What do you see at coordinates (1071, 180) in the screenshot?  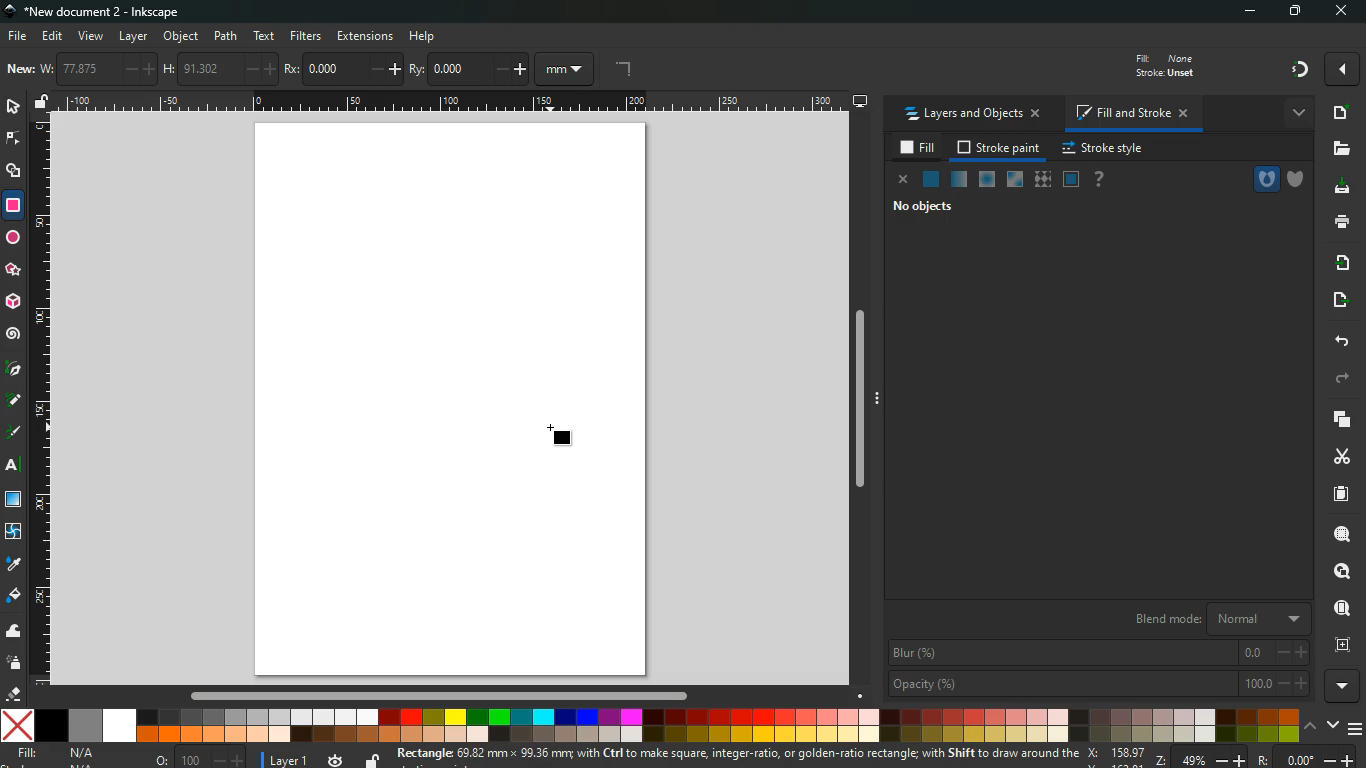 I see `window` at bounding box center [1071, 180].